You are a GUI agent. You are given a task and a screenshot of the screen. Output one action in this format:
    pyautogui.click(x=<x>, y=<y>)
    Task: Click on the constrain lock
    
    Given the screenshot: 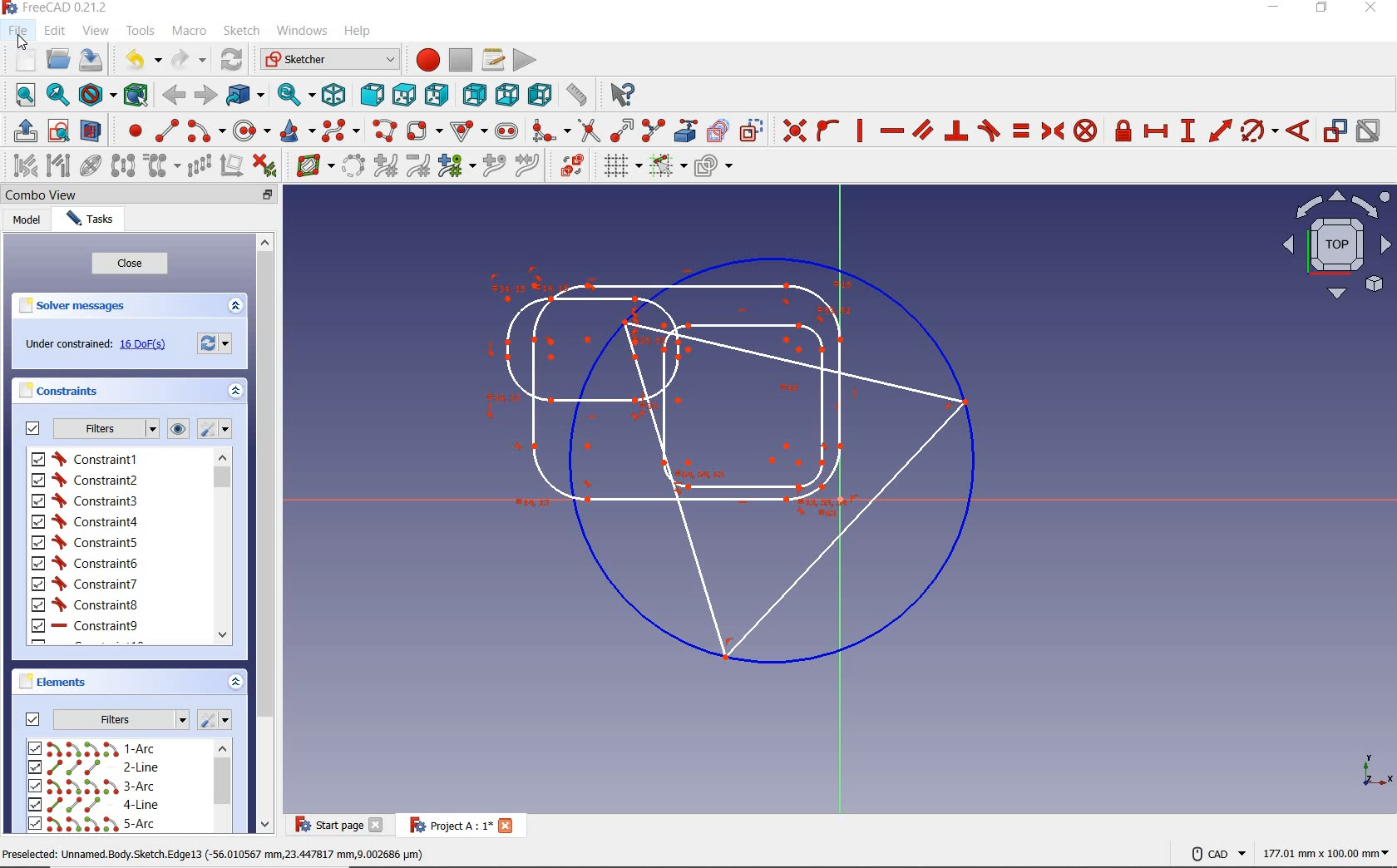 What is the action you would take?
    pyautogui.click(x=1123, y=132)
    